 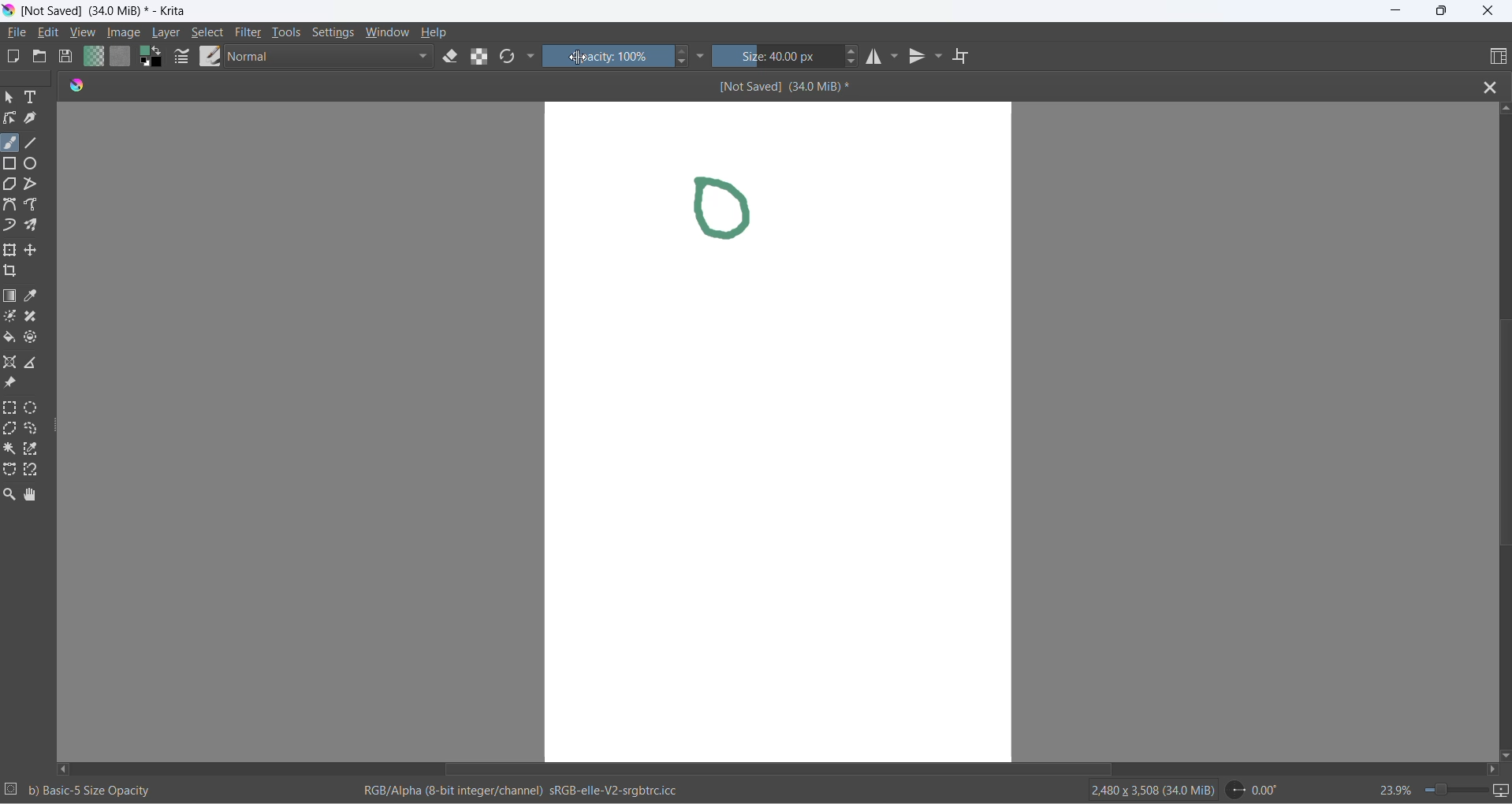 I want to click on brush settings, so click(x=181, y=58).